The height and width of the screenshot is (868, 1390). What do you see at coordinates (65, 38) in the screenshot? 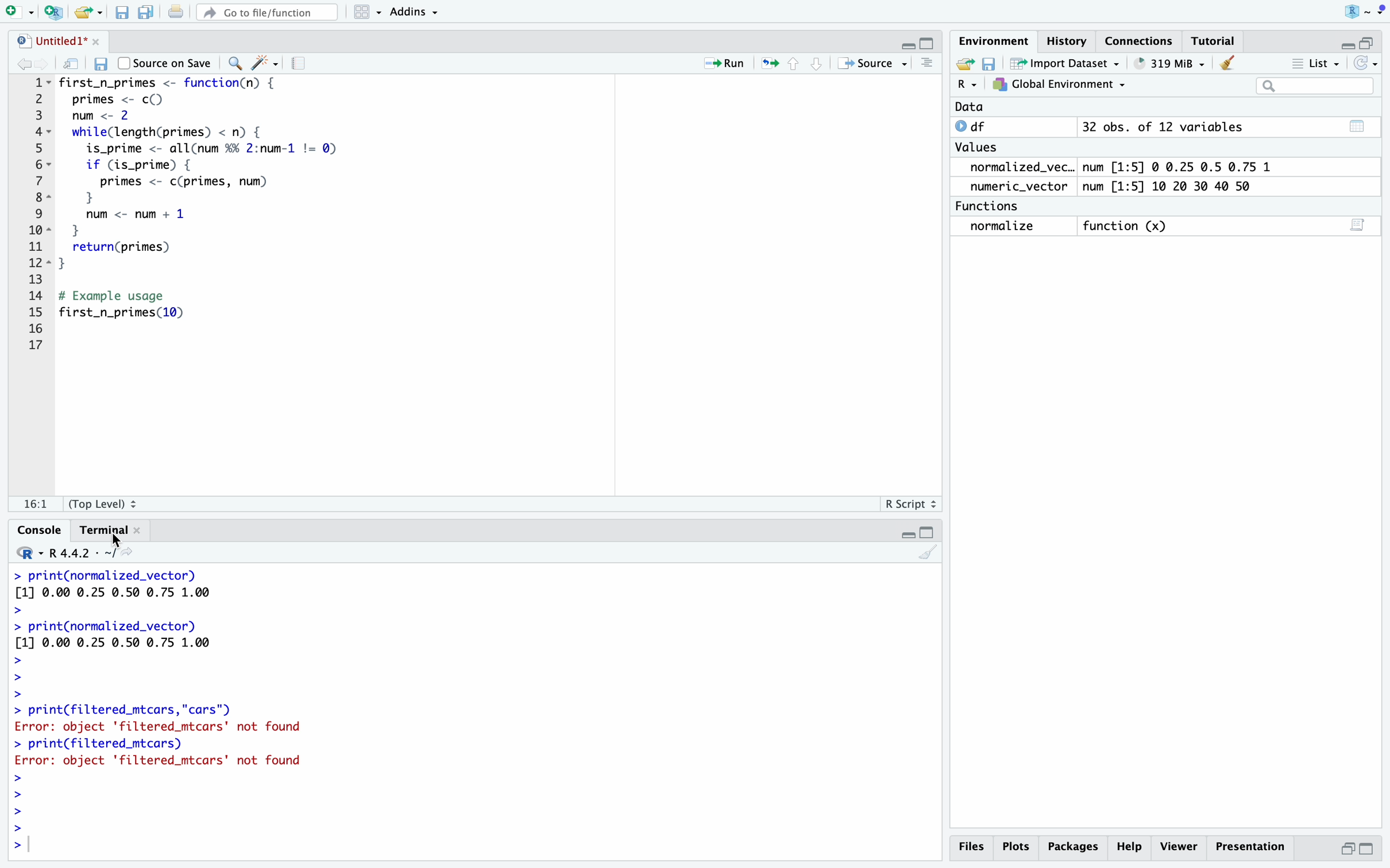
I see `untitled` at bounding box center [65, 38].